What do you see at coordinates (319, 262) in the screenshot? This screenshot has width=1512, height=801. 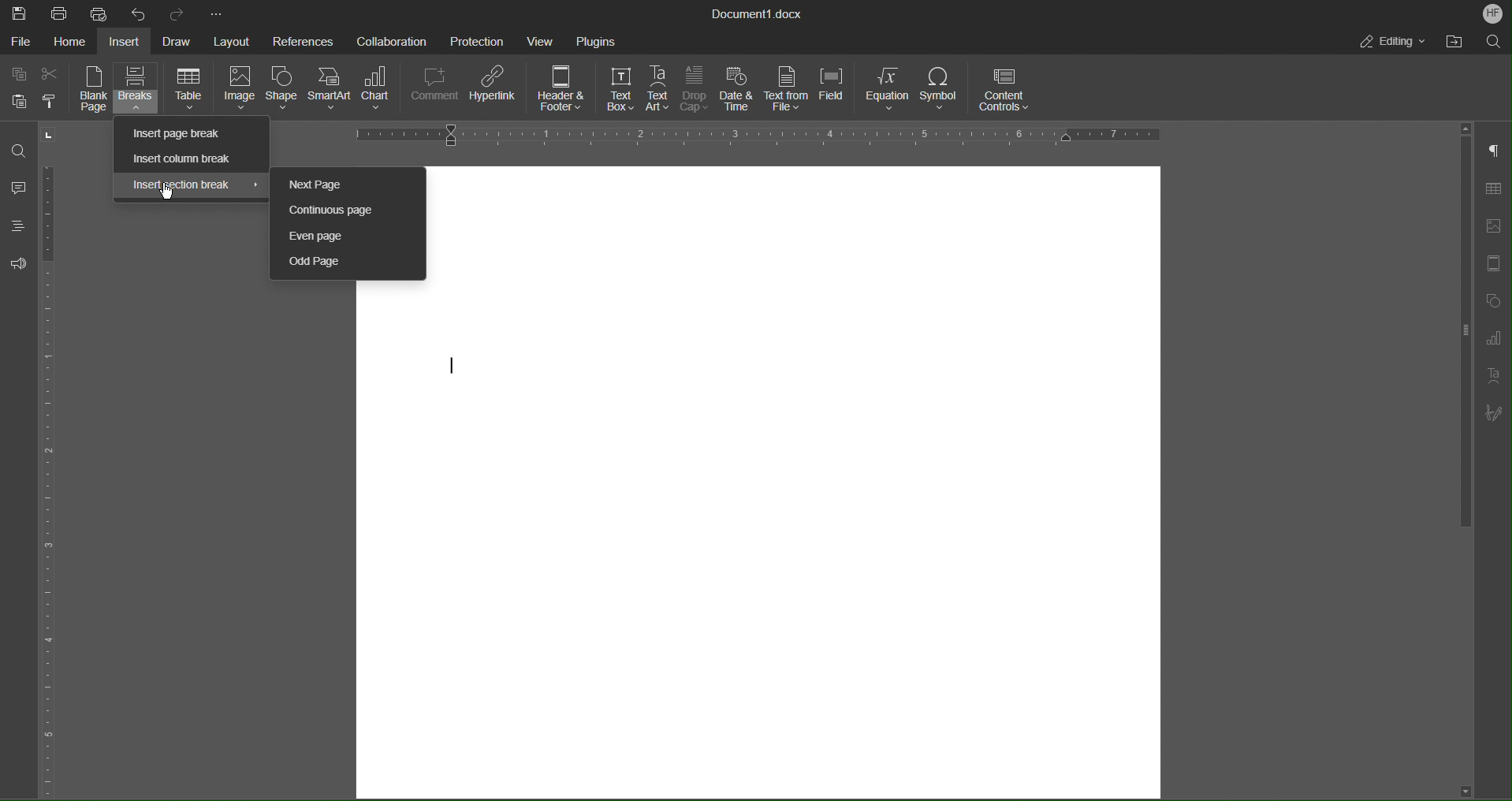 I see `Odd Page` at bounding box center [319, 262].